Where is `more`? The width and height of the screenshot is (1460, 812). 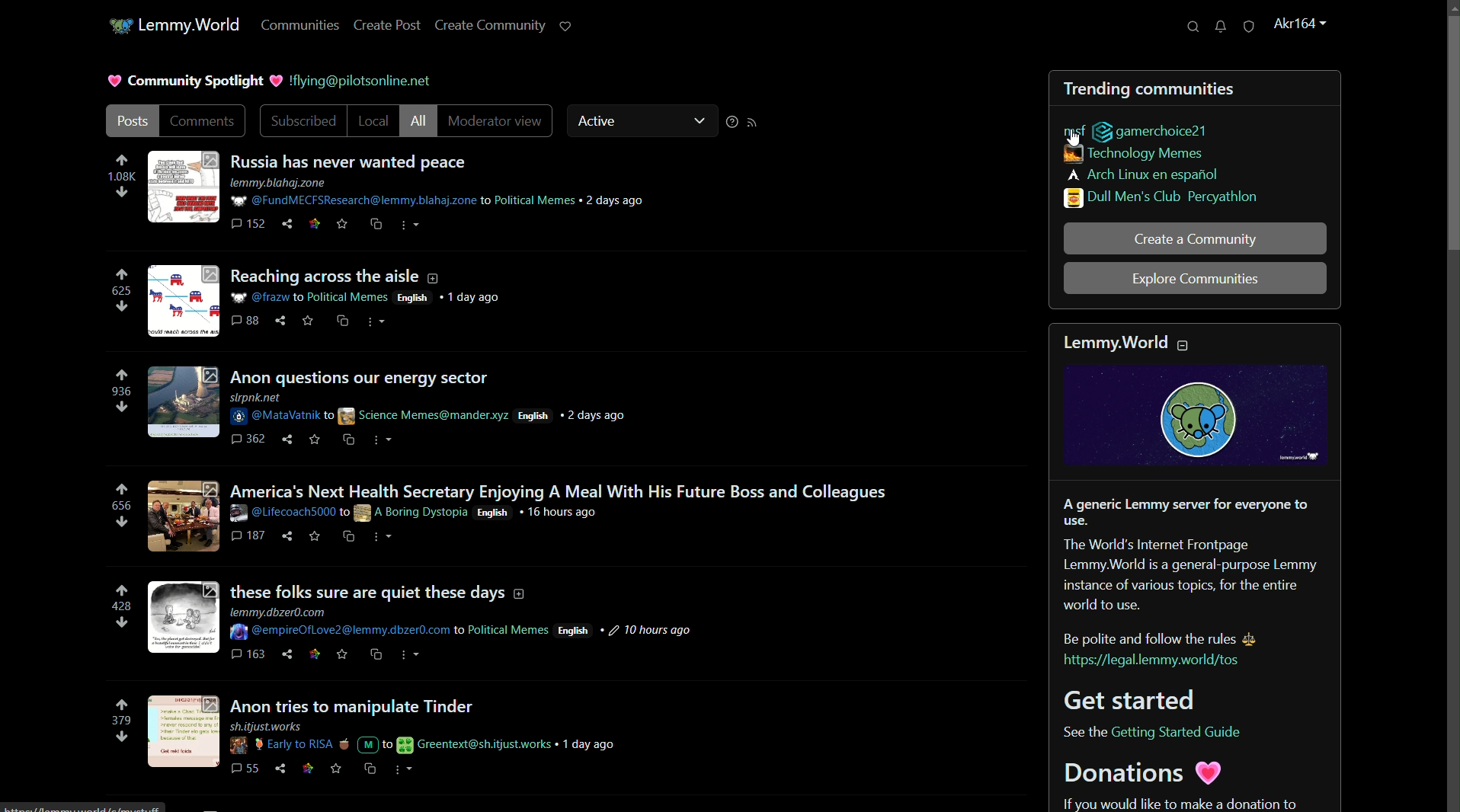
more is located at coordinates (379, 535).